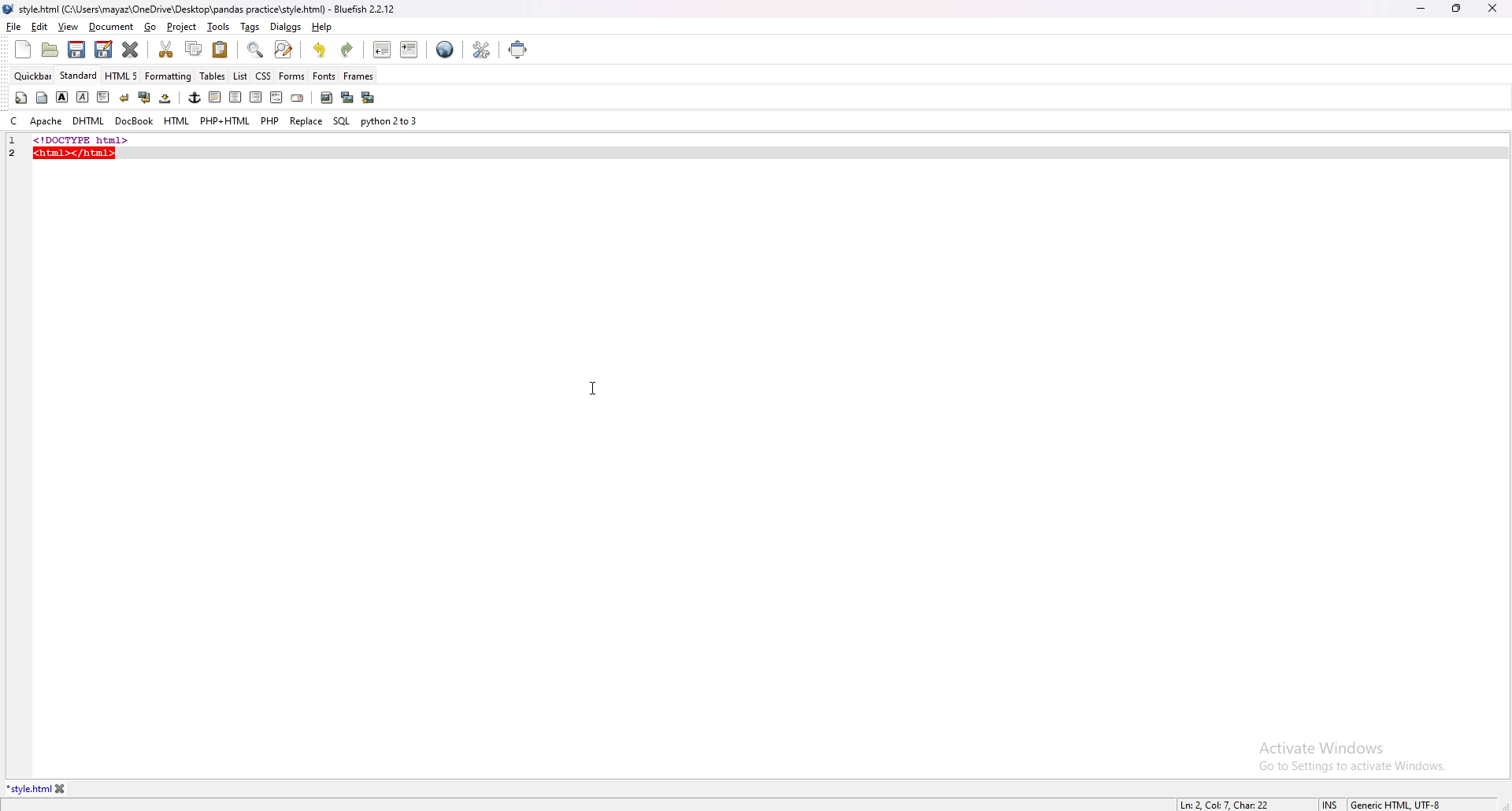  I want to click on line info, so click(1226, 803).